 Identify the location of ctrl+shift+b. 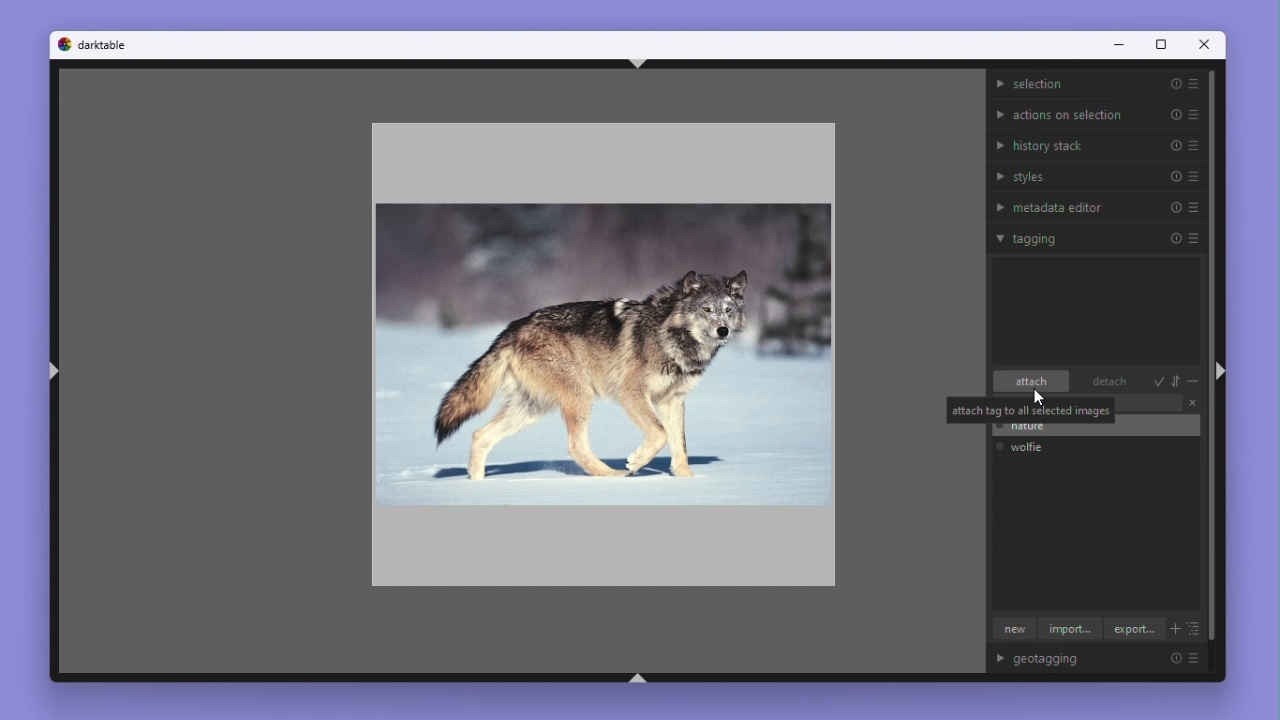
(638, 678).